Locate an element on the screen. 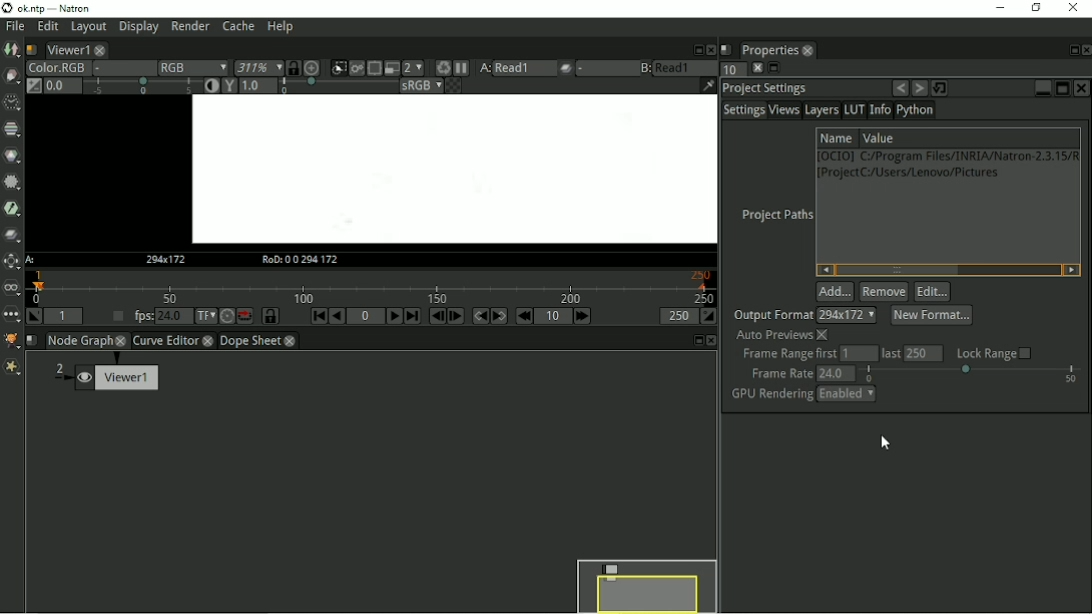  Render is located at coordinates (190, 25).